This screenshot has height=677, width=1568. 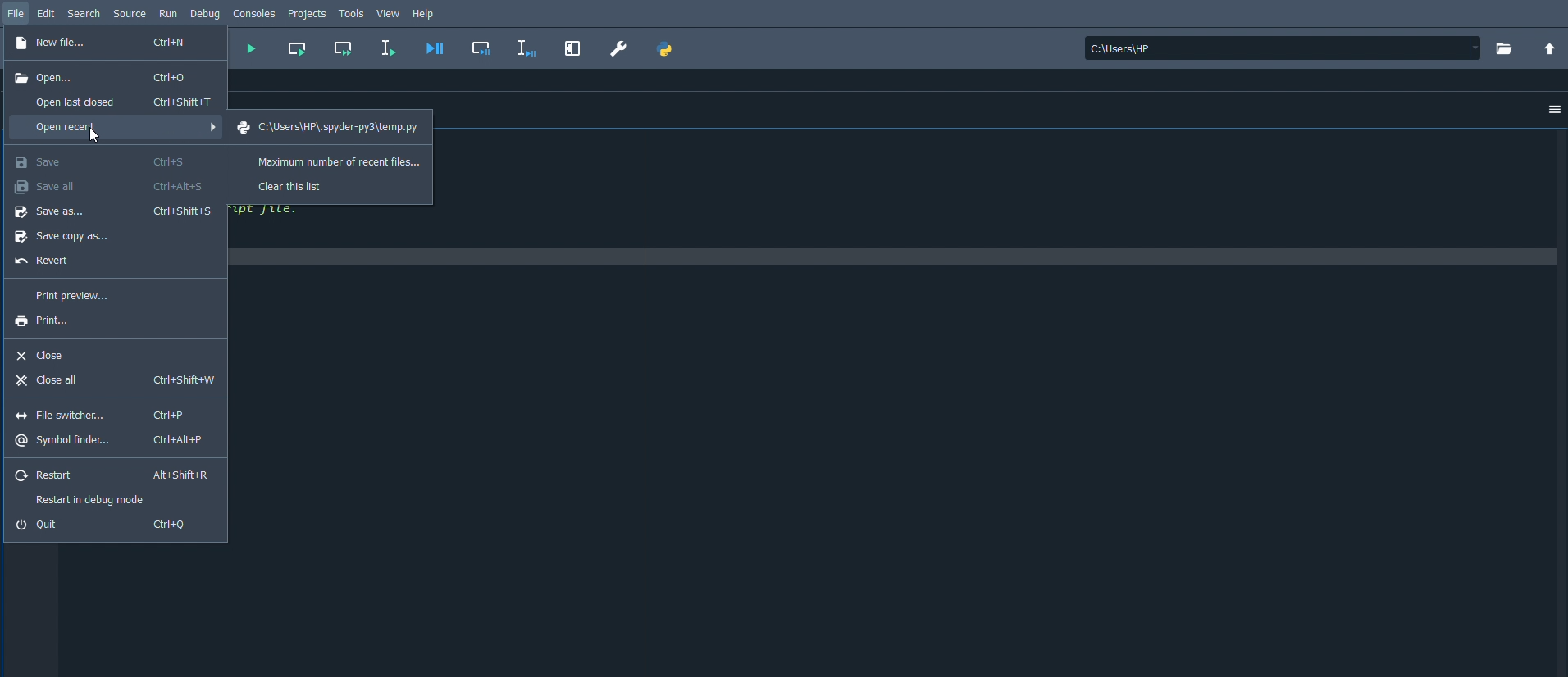 I want to click on Revert, so click(x=46, y=262).